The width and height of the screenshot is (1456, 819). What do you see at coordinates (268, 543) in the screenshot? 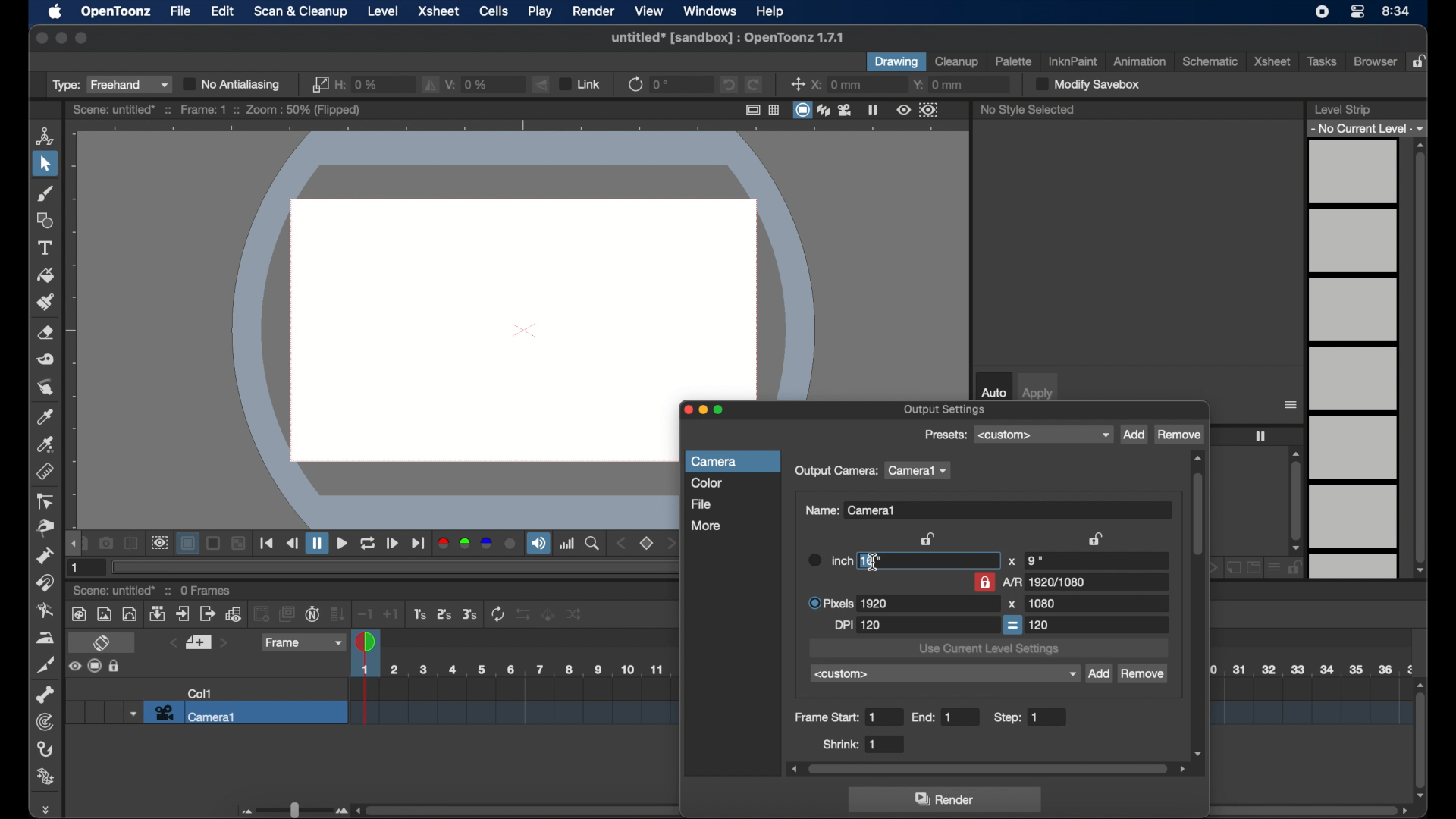
I see `playback controls` at bounding box center [268, 543].